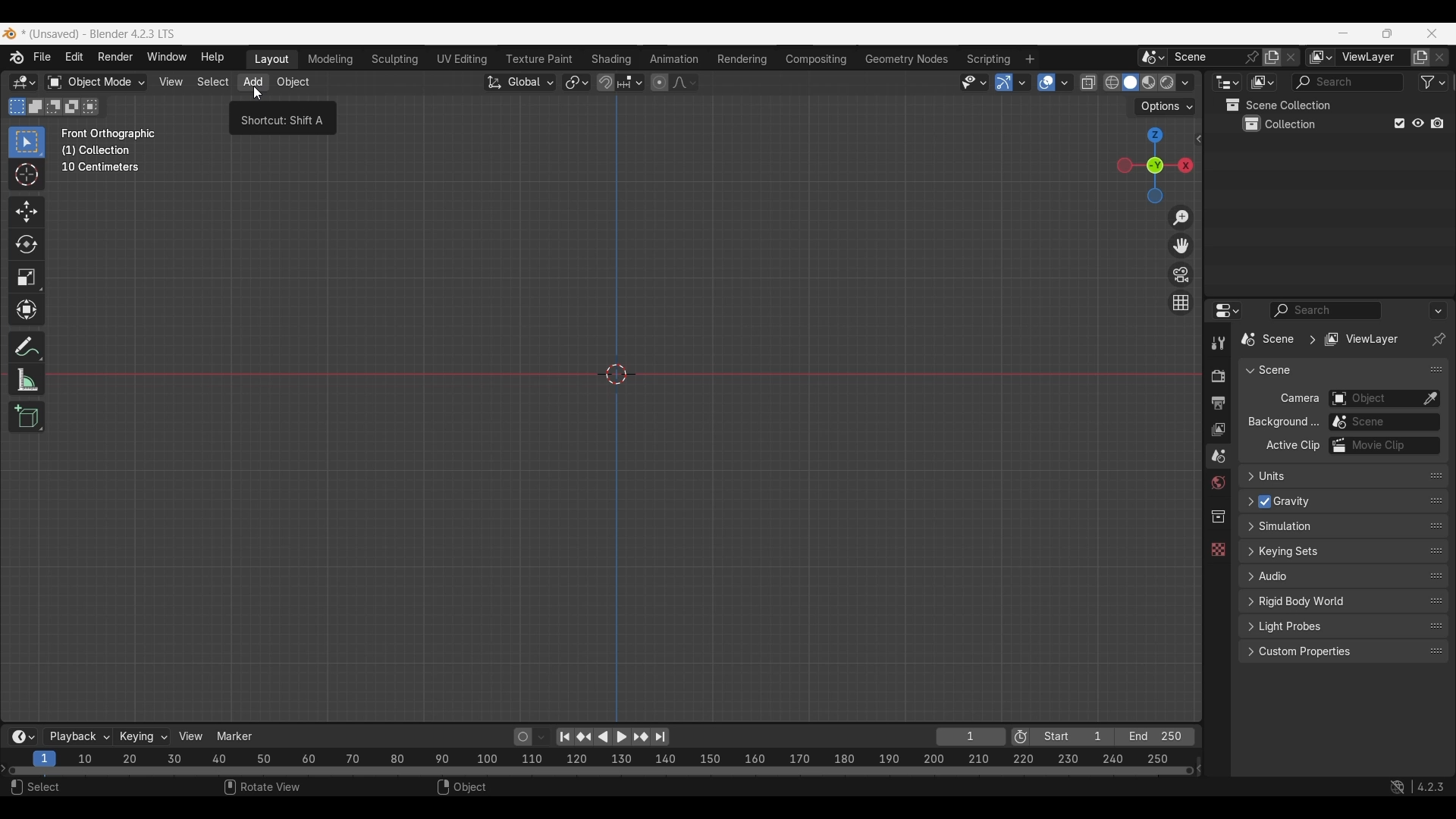  I want to click on Snap during transform, so click(606, 82).